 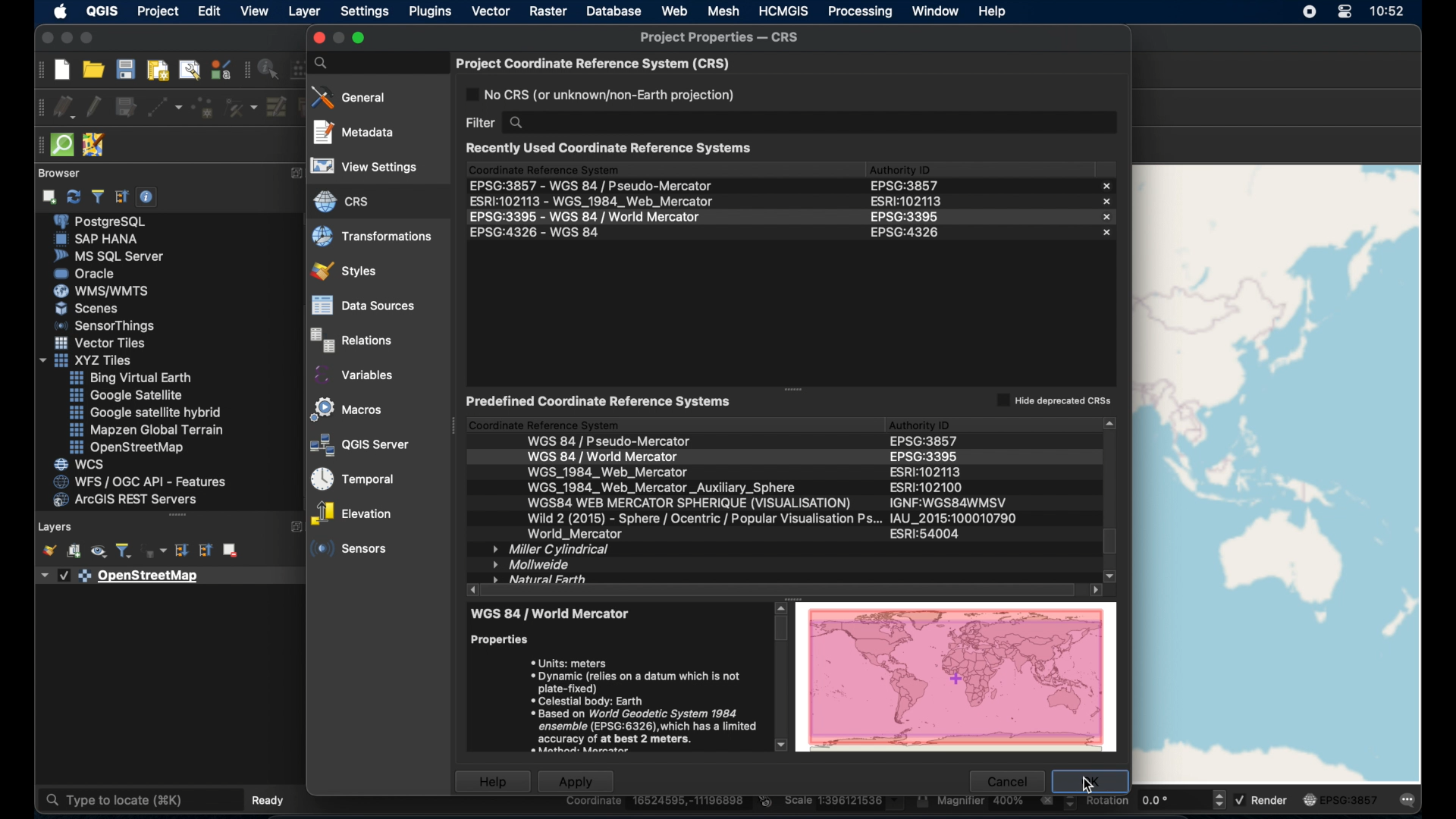 I want to click on arcGIS server, so click(x=127, y=500).